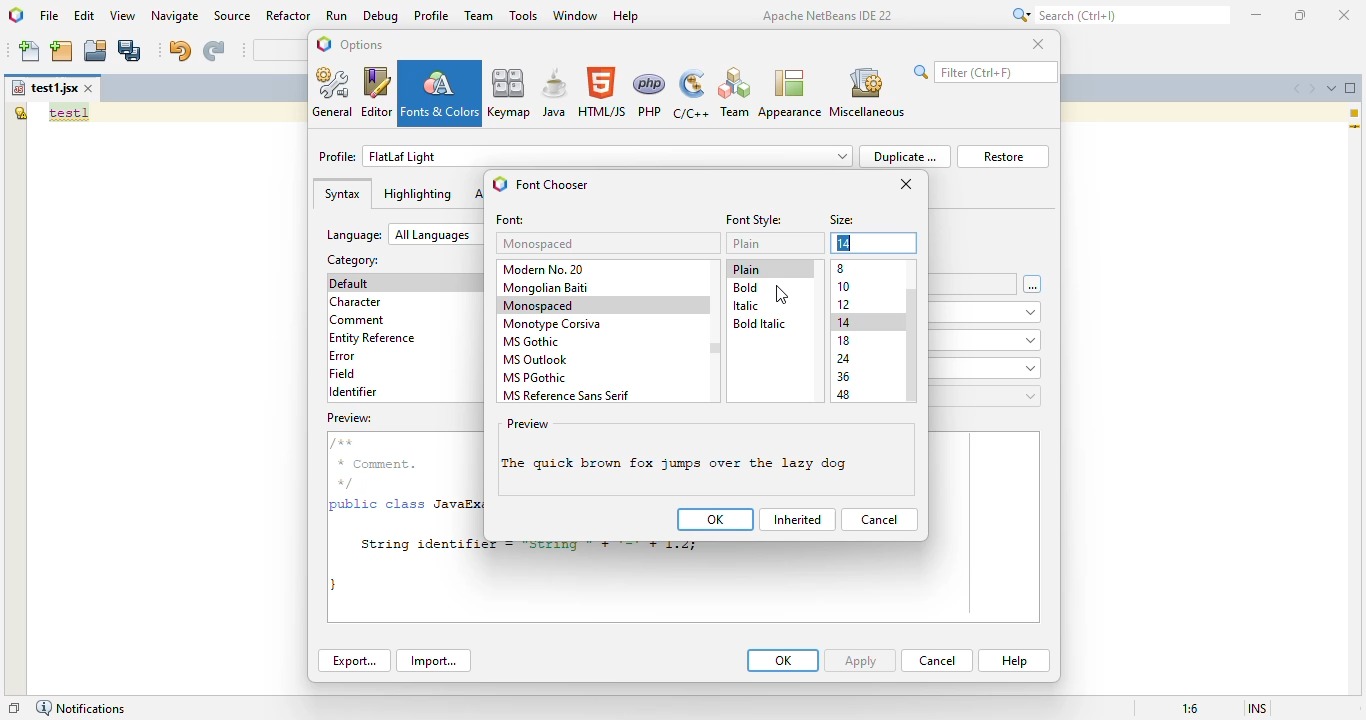 This screenshot has height=720, width=1366. Describe the element at coordinates (546, 288) in the screenshot. I see `mongolian baiti` at that location.